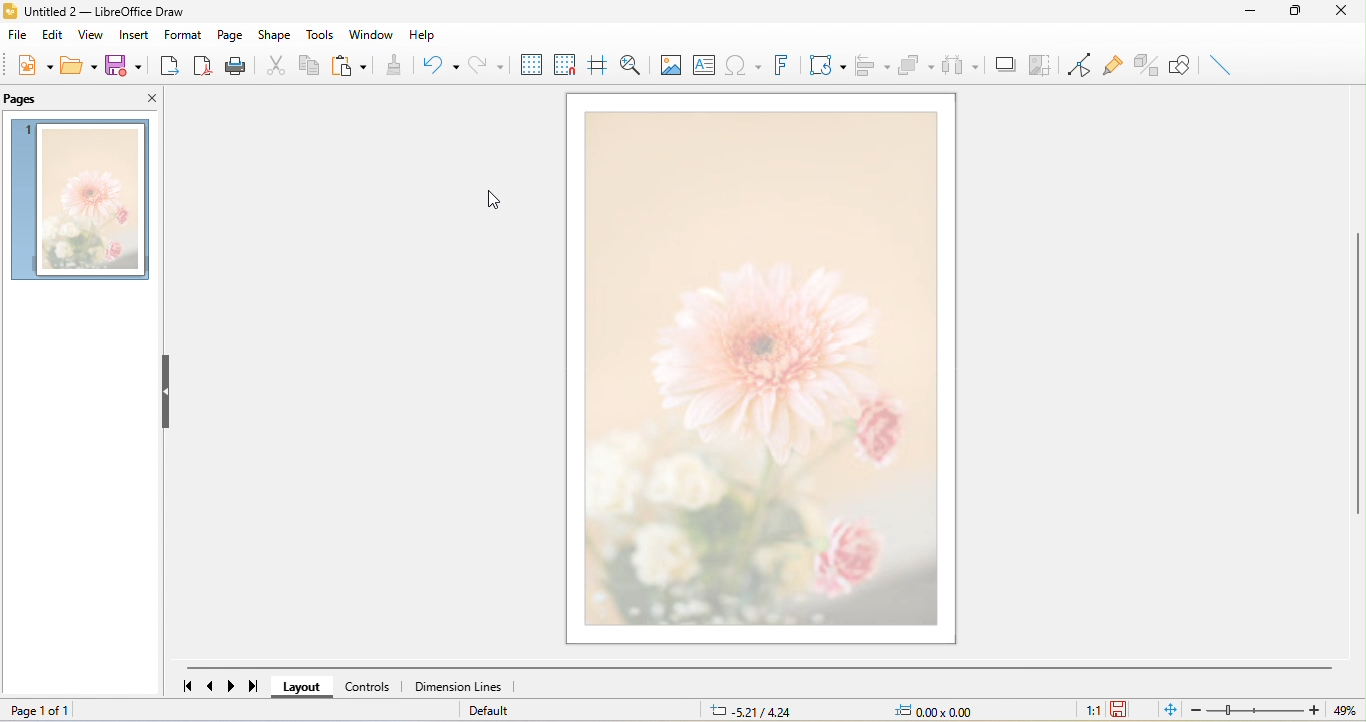 Image resolution: width=1366 pixels, height=722 pixels. What do you see at coordinates (187, 684) in the screenshot?
I see `first page` at bounding box center [187, 684].